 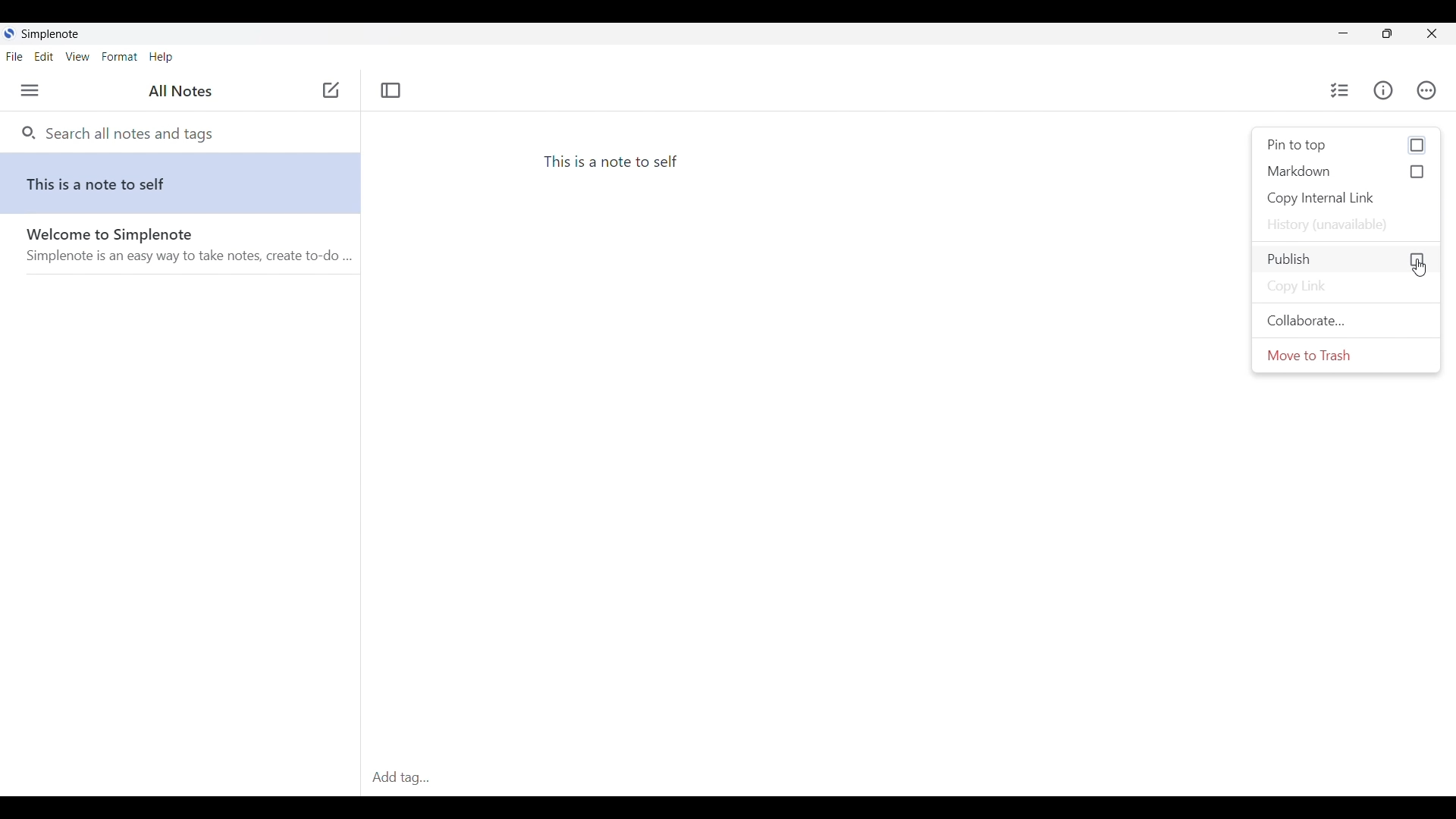 I want to click on Minimize, so click(x=1344, y=33).